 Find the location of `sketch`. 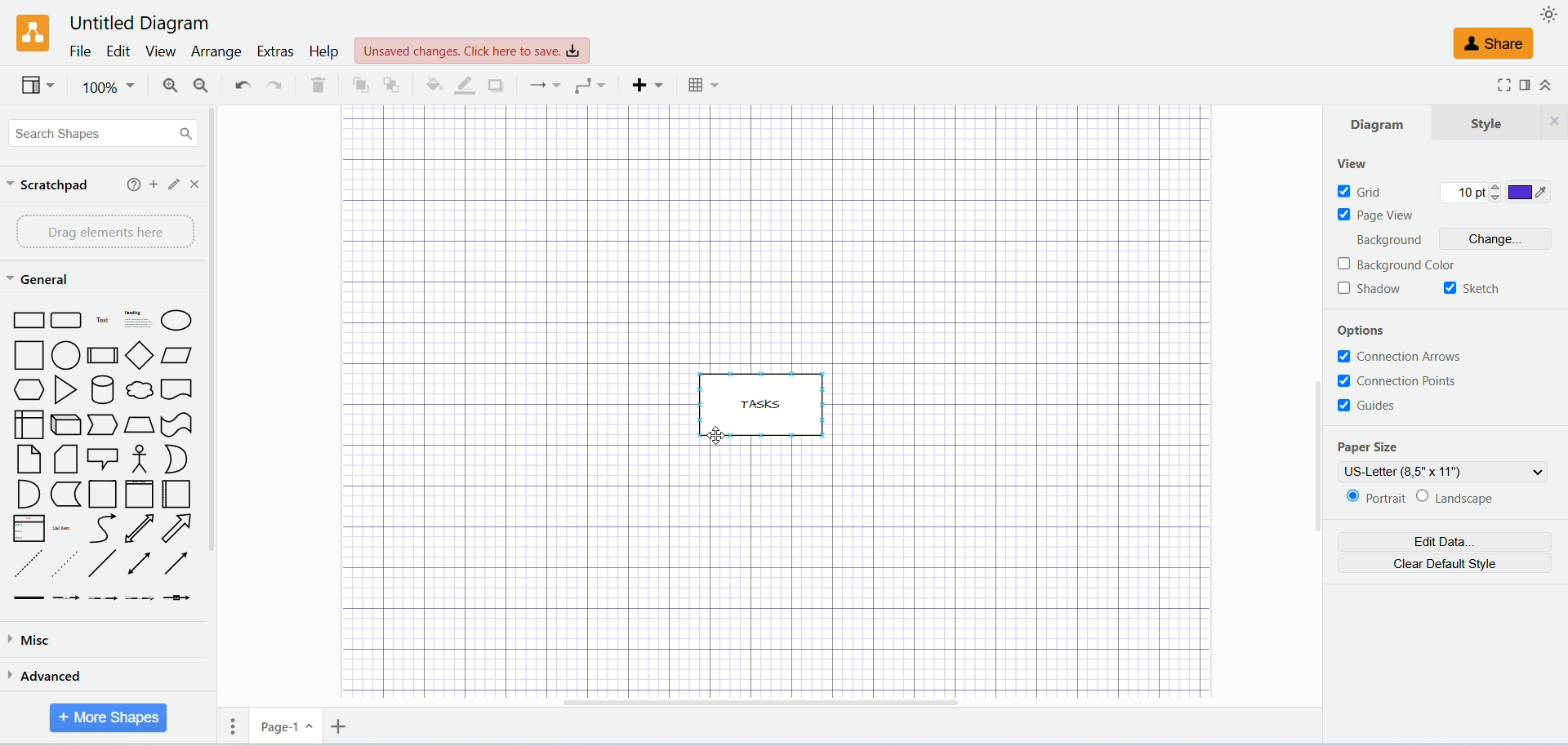

sketch is located at coordinates (1479, 287).